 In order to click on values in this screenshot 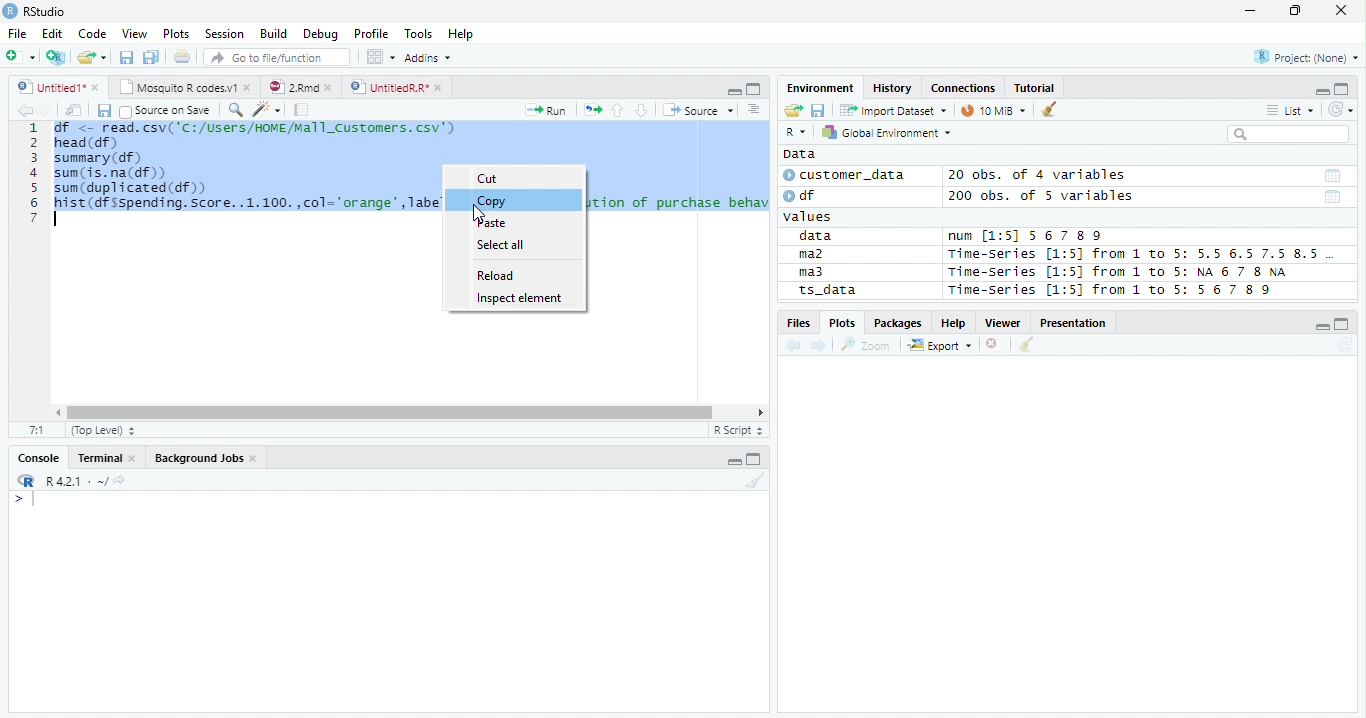, I will do `click(810, 217)`.